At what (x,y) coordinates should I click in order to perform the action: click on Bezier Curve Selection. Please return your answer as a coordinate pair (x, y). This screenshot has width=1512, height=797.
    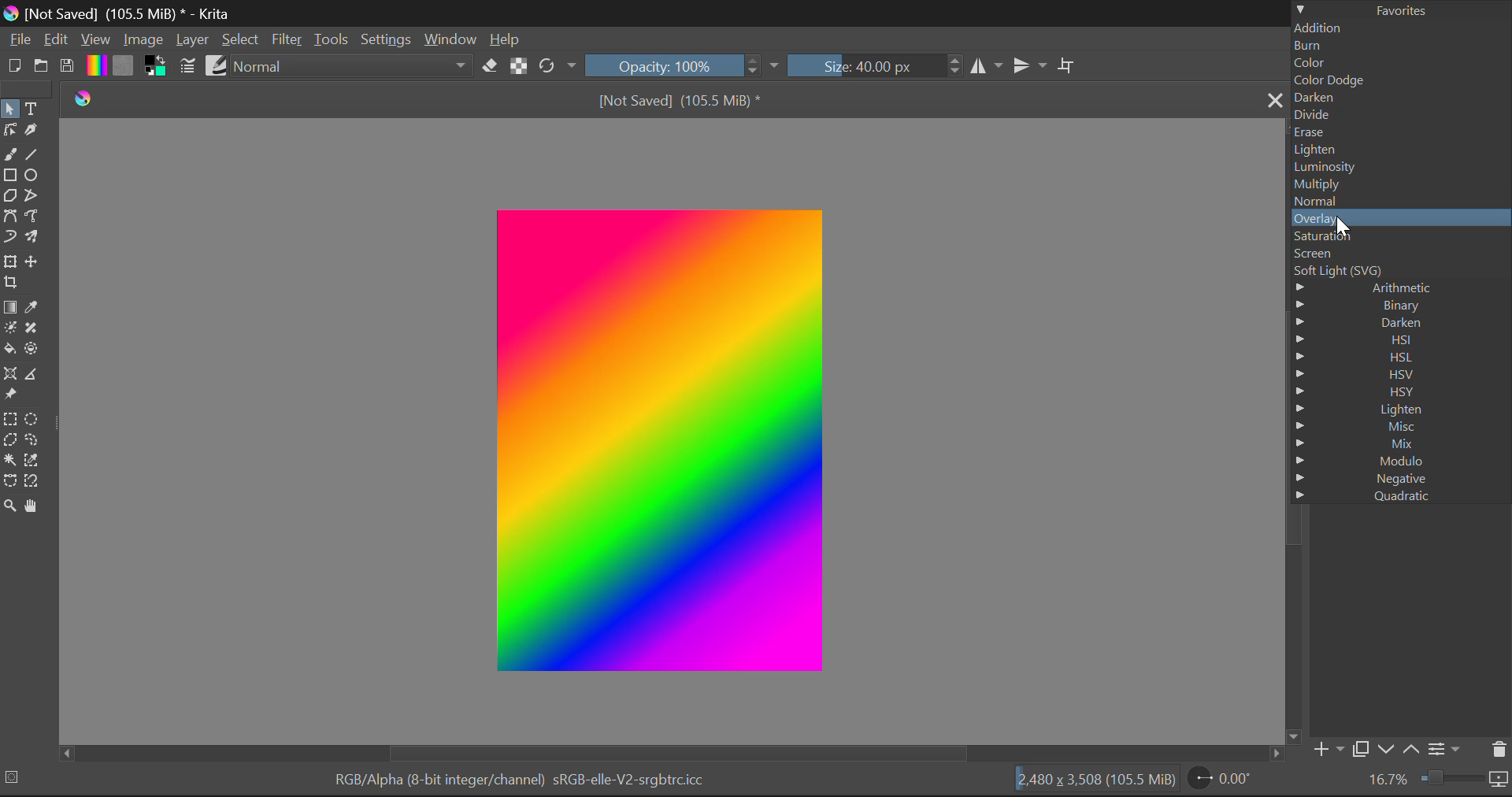
    Looking at the image, I should click on (10, 484).